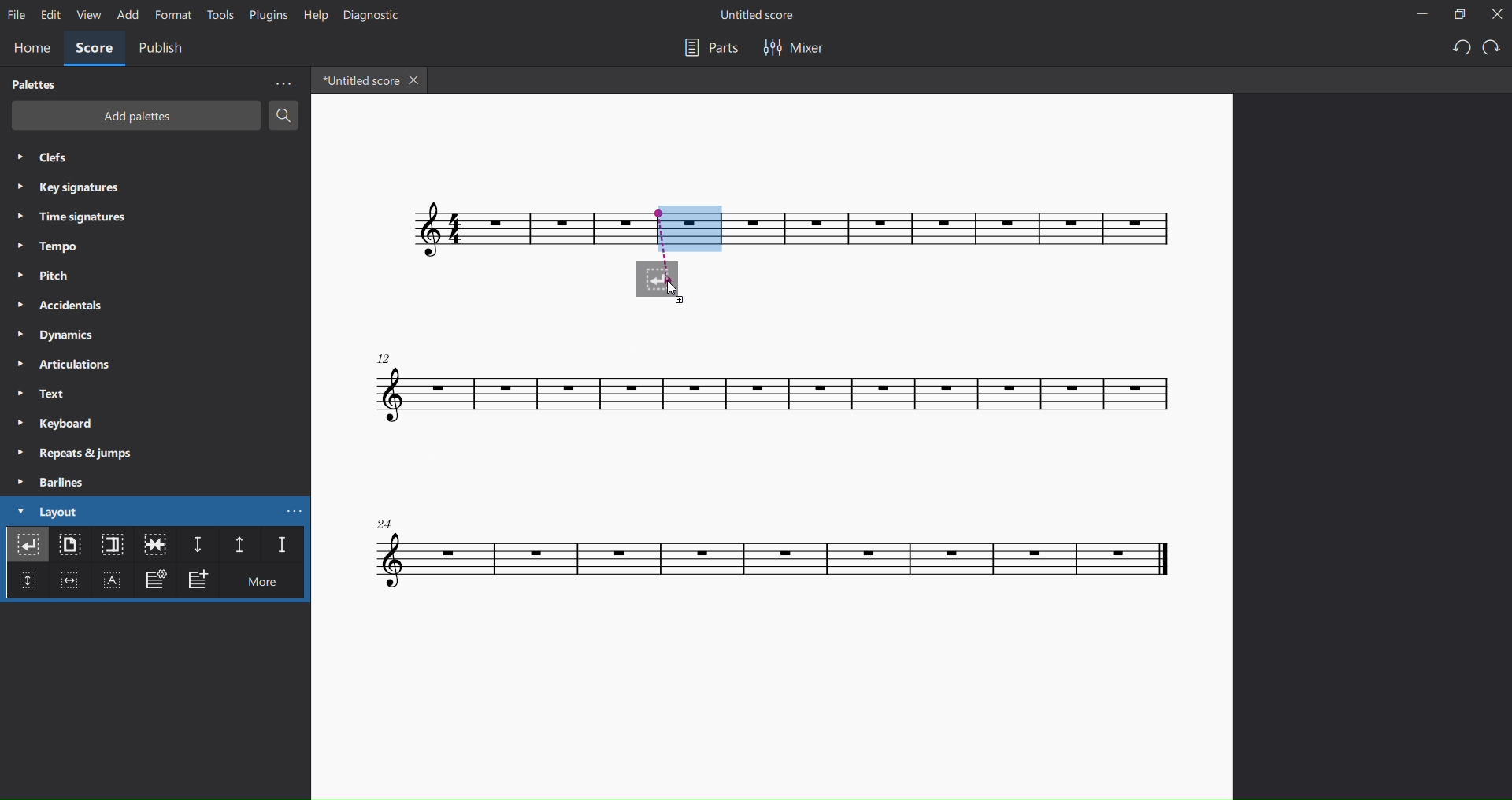  What do you see at coordinates (174, 15) in the screenshot?
I see `format` at bounding box center [174, 15].